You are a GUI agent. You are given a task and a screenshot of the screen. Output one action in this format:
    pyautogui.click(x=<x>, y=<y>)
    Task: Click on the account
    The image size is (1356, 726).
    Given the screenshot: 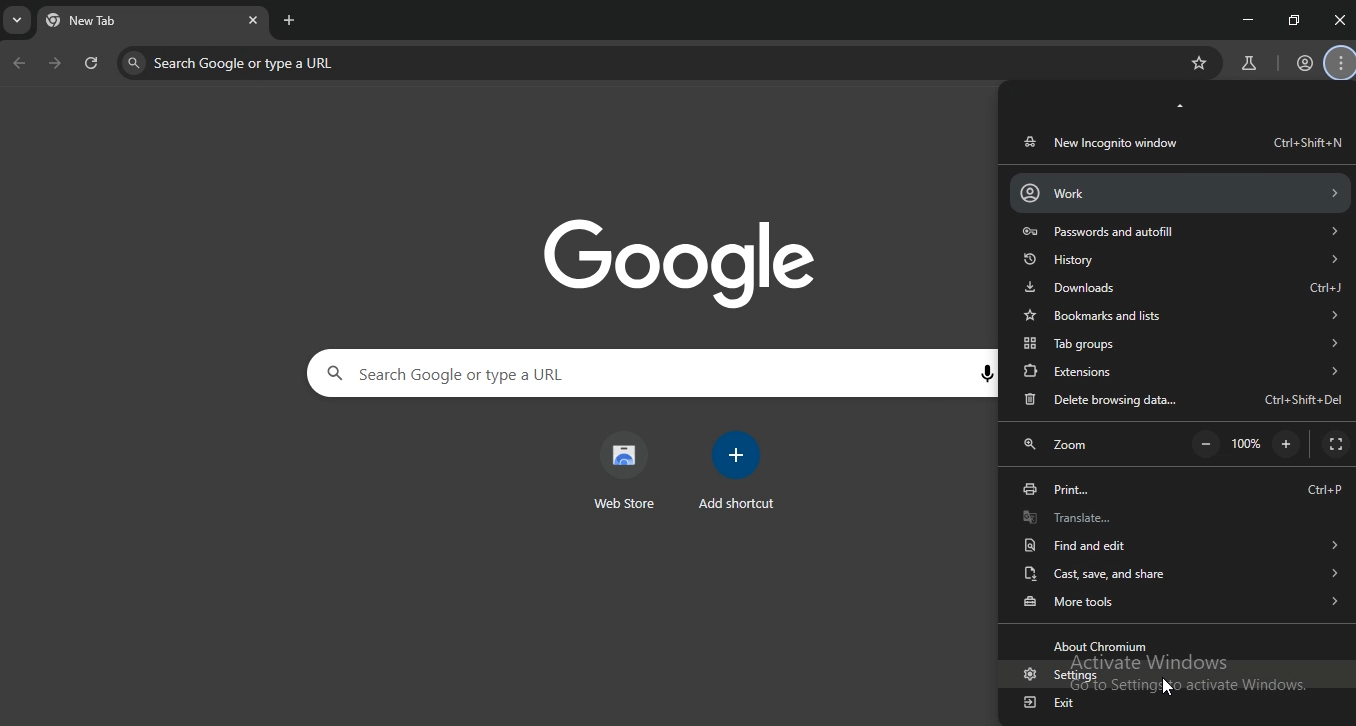 What is the action you would take?
    pyautogui.click(x=1178, y=192)
    